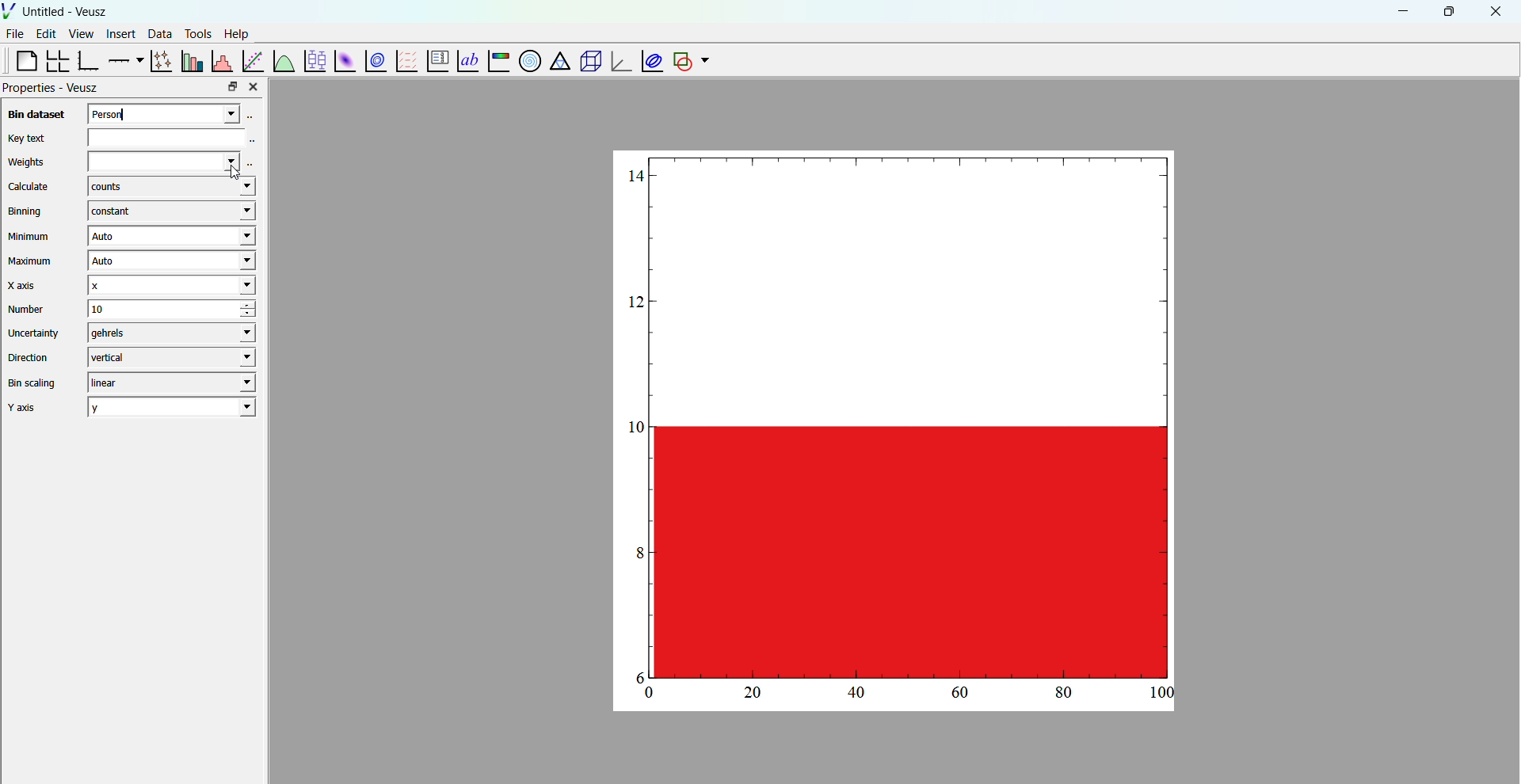  What do you see at coordinates (168, 382) in the screenshot?
I see `liner - drop down` at bounding box center [168, 382].